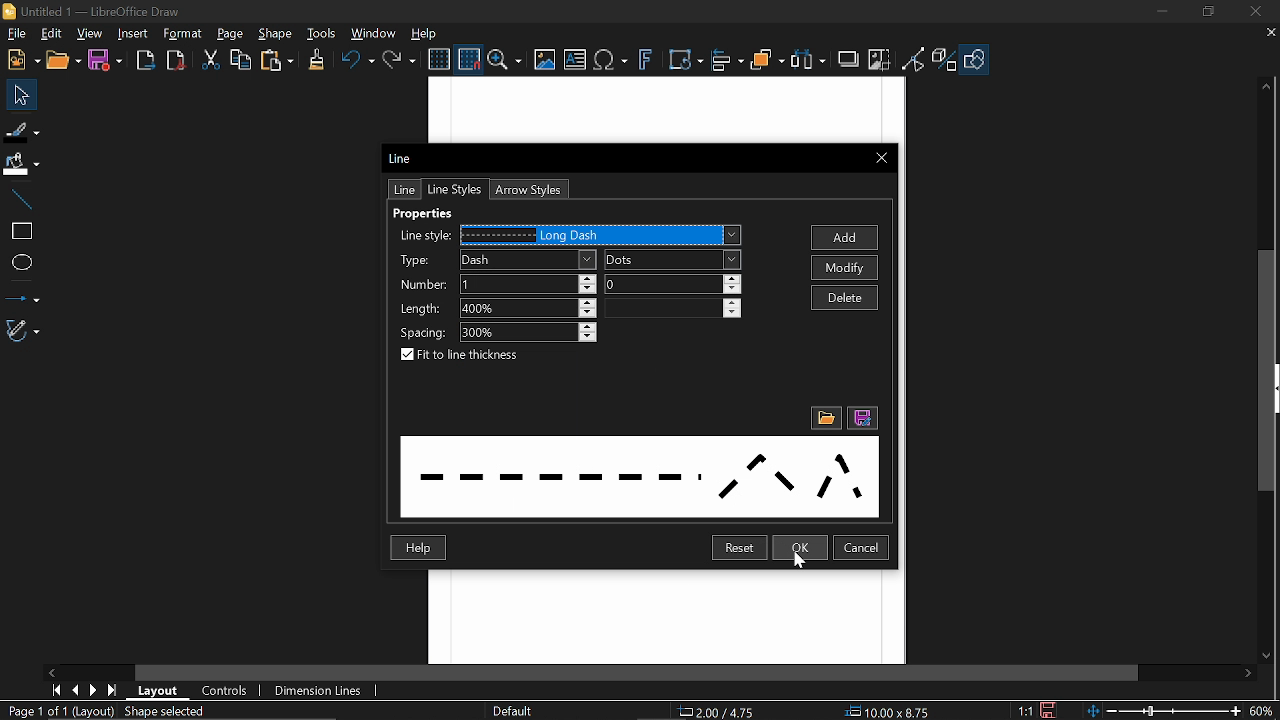 Image resolution: width=1280 pixels, height=720 pixels. What do you see at coordinates (945, 61) in the screenshot?
I see `Toggle extrusion` at bounding box center [945, 61].